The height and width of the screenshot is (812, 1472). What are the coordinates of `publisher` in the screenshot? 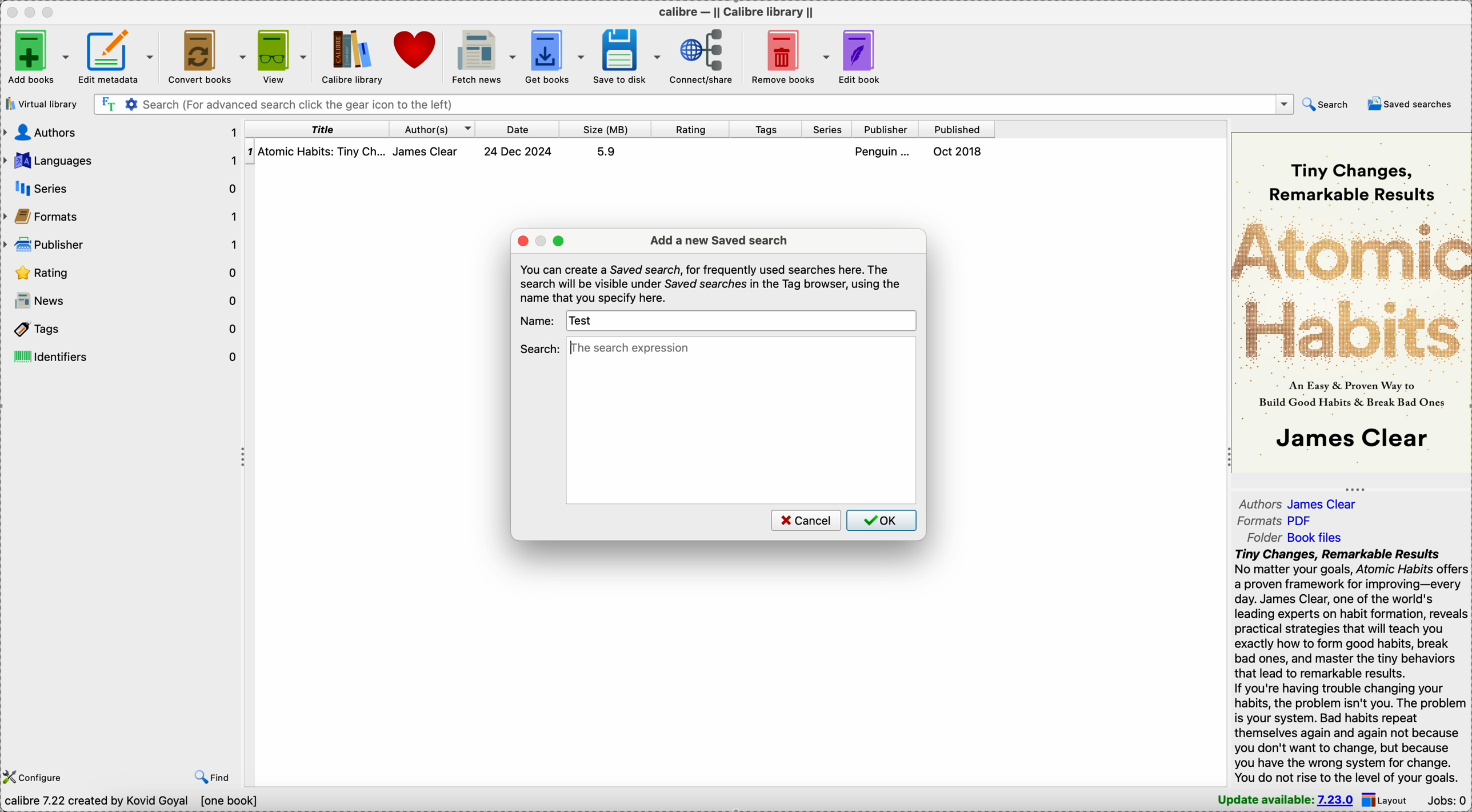 It's located at (887, 130).